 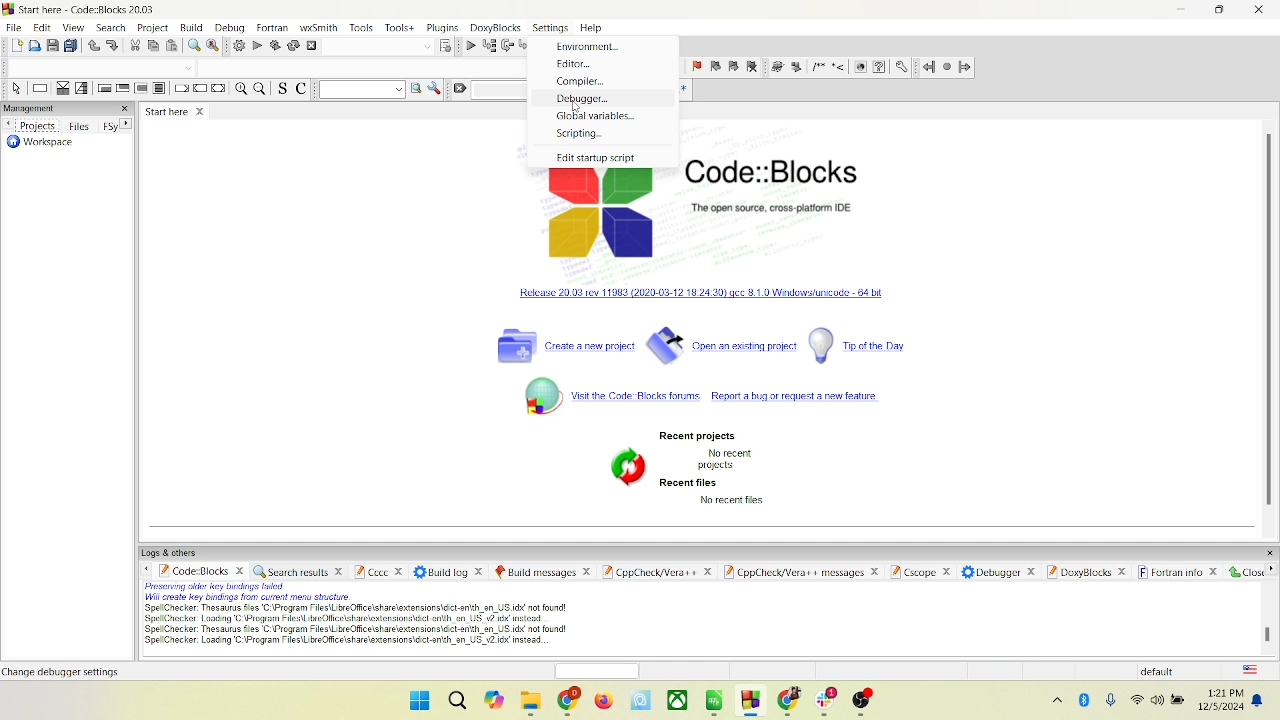 What do you see at coordinates (160, 87) in the screenshot?
I see `block instruction` at bounding box center [160, 87].